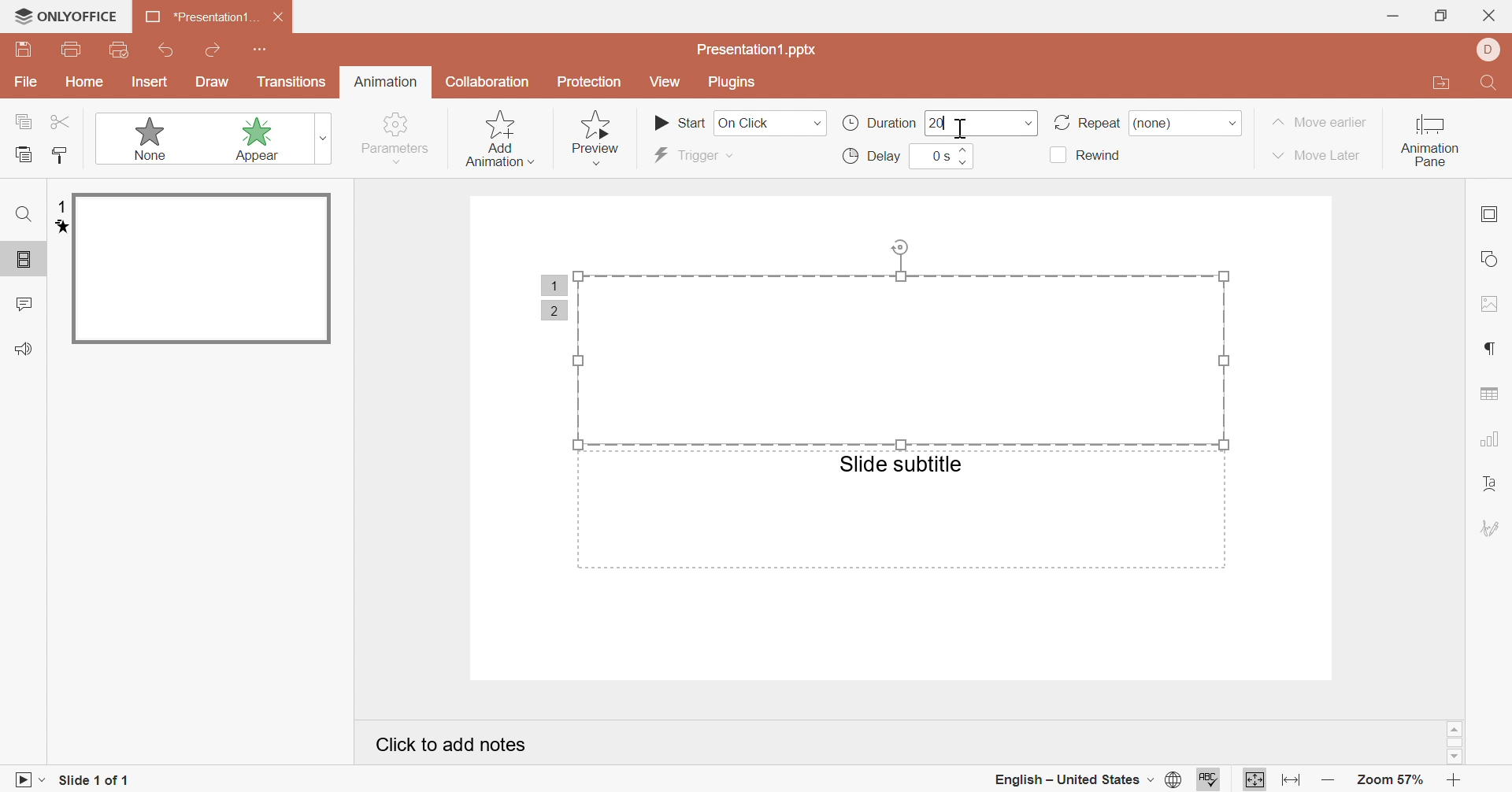 This screenshot has width=1512, height=792. Describe the element at coordinates (936, 123) in the screenshot. I see `20` at that location.